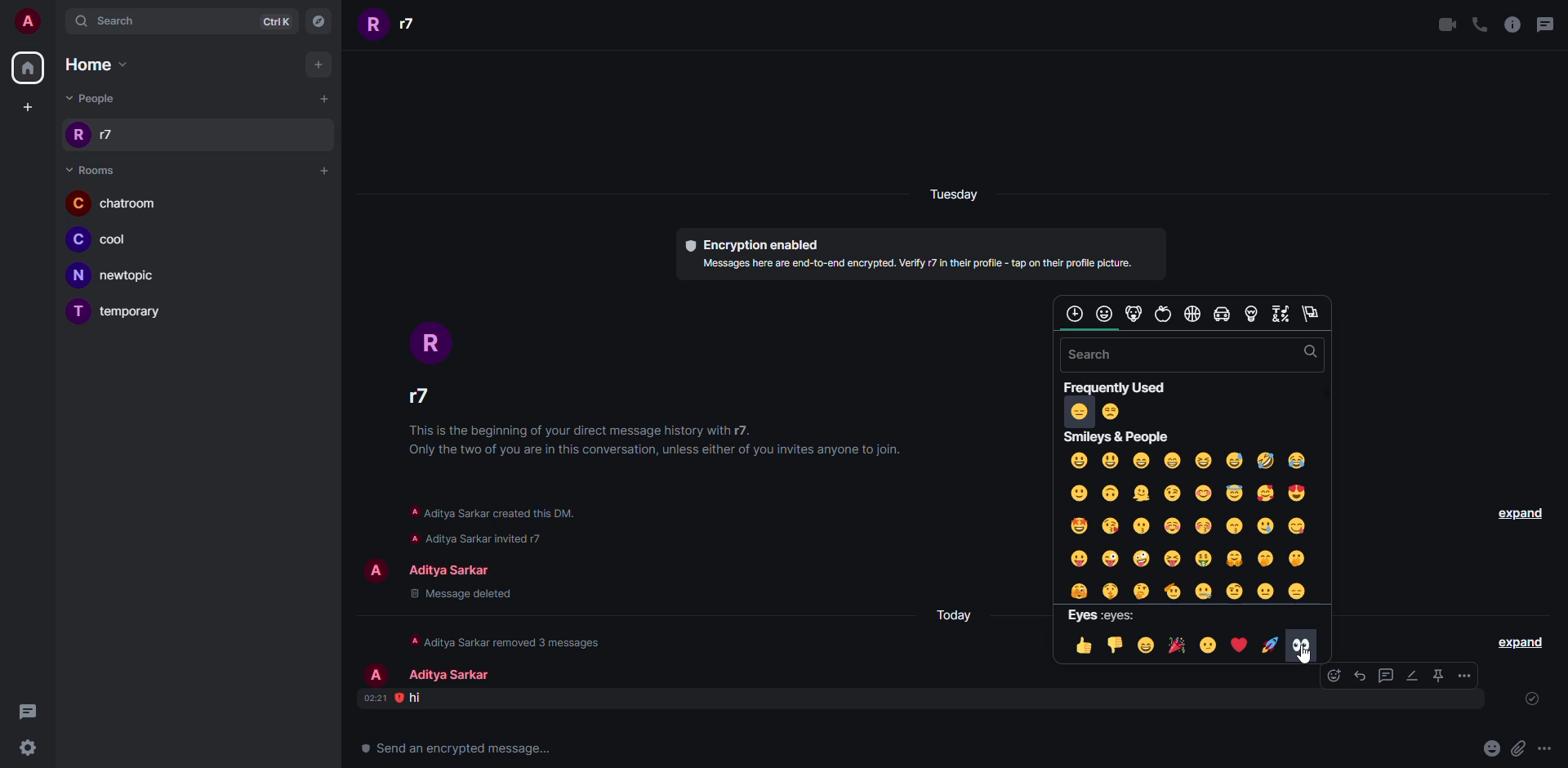 The image size is (1568, 768). What do you see at coordinates (1270, 643) in the screenshot?
I see `rocket` at bounding box center [1270, 643].